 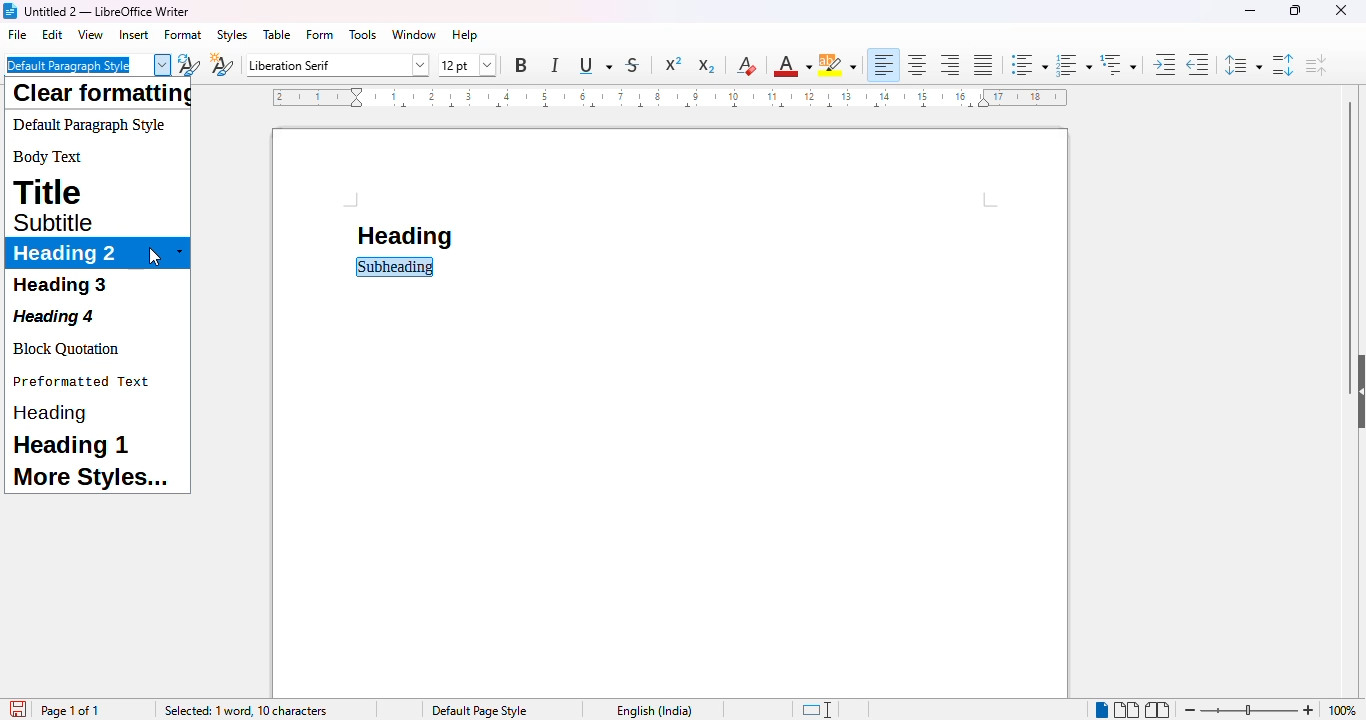 I want to click on text language, so click(x=655, y=710).